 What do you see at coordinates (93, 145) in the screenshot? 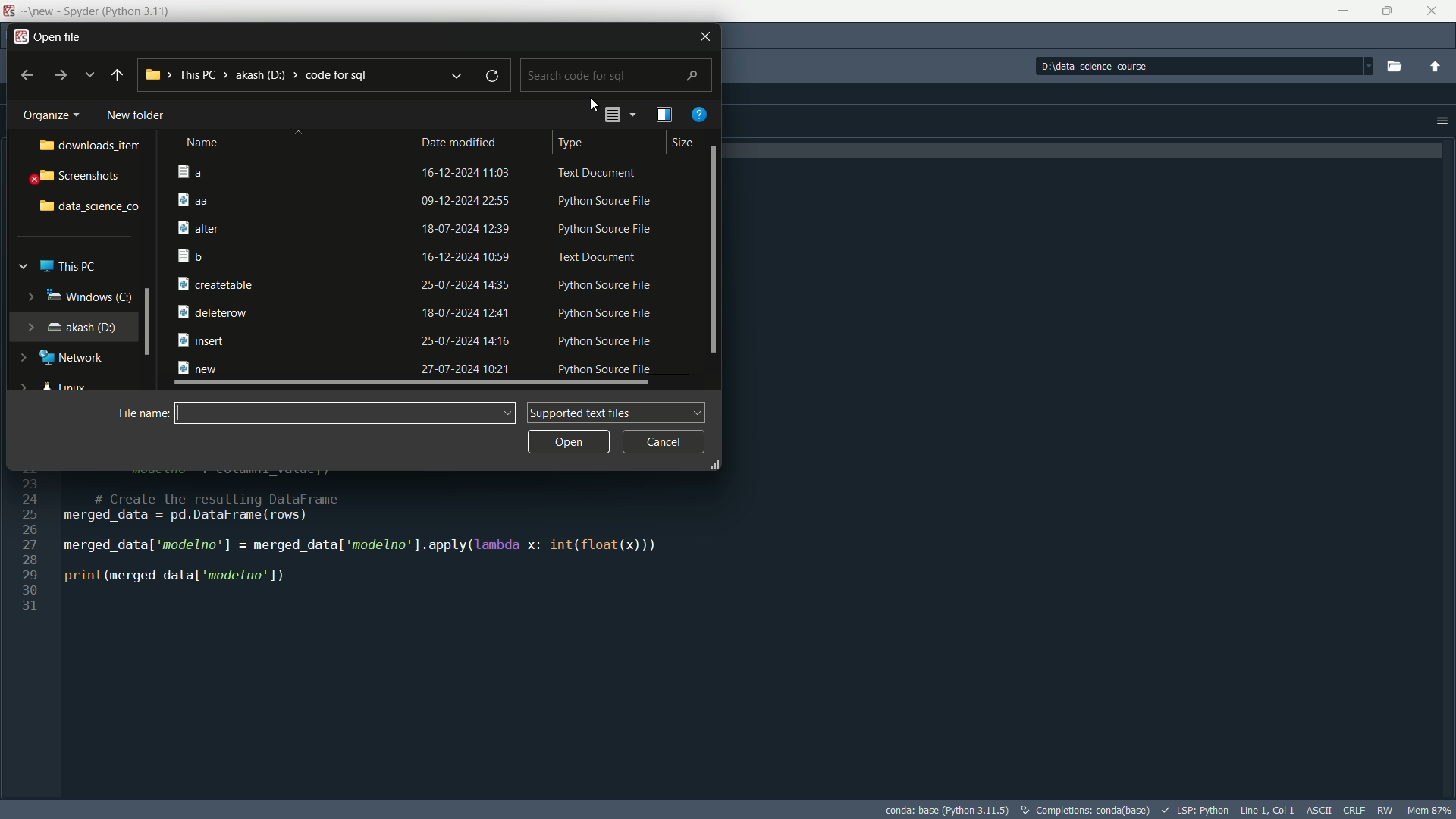
I see `downloads_item` at bounding box center [93, 145].